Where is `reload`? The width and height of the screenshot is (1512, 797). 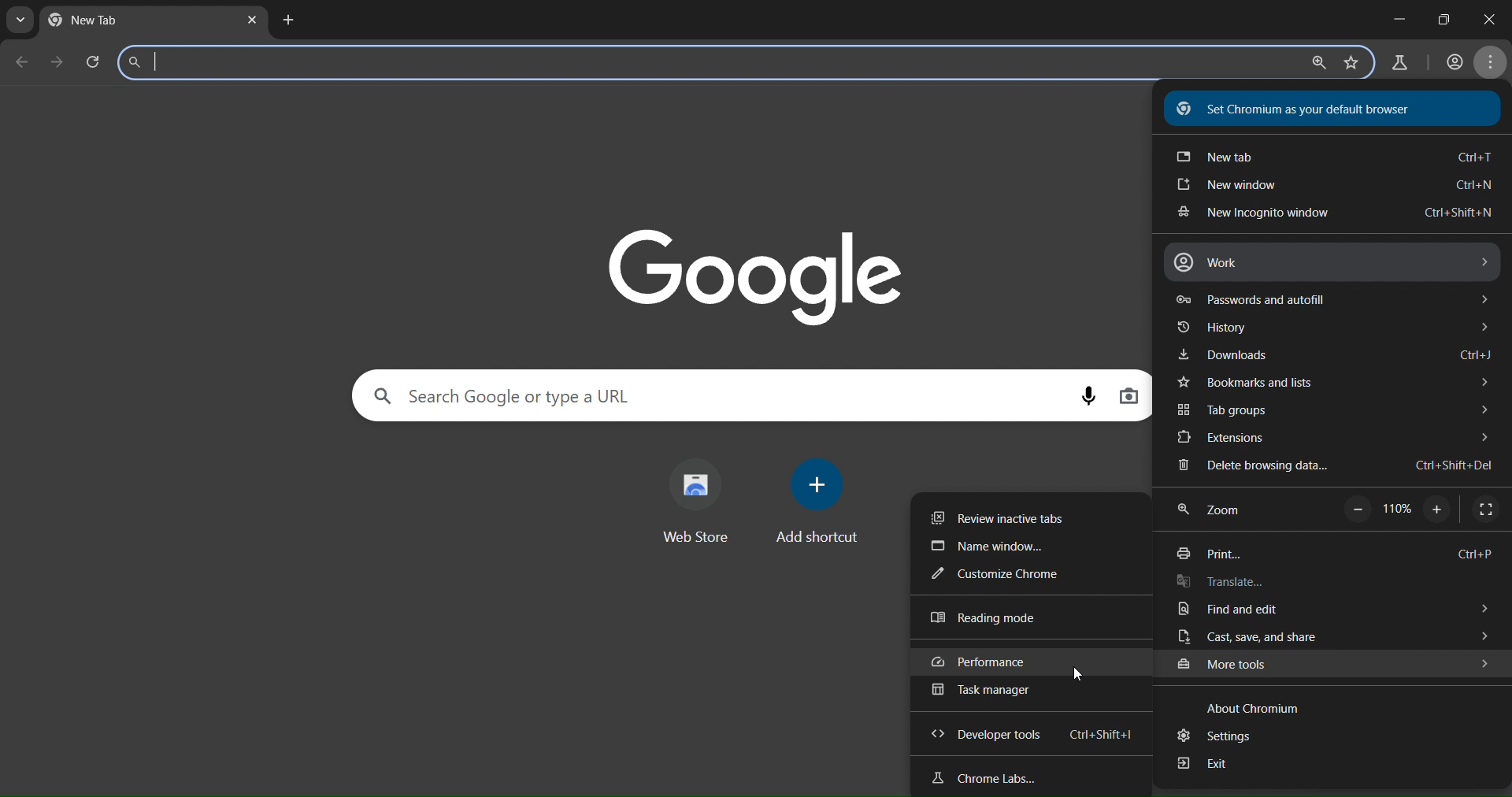 reload is located at coordinates (98, 61).